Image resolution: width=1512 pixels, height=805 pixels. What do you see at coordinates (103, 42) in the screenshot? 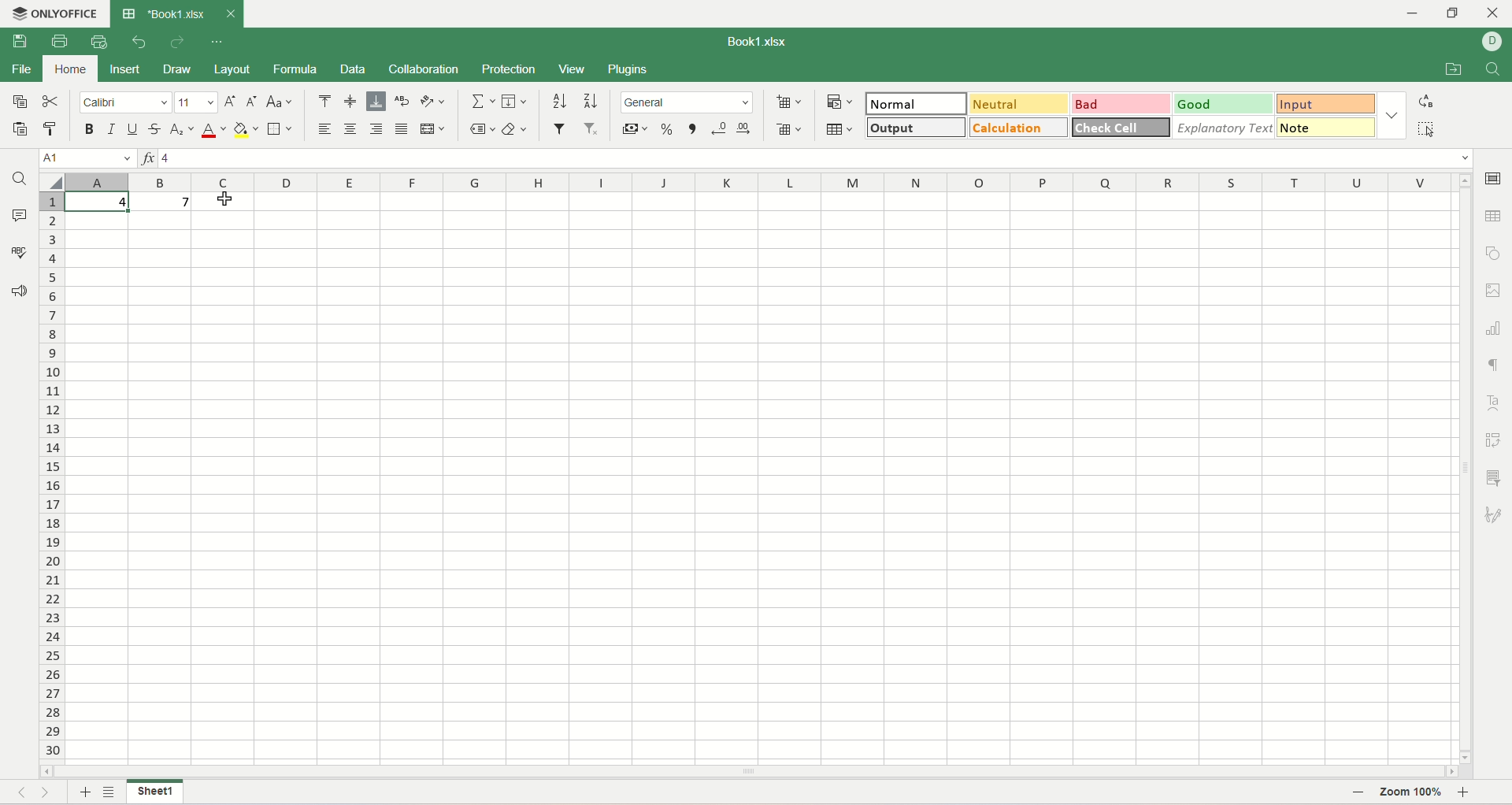
I see `print preview` at bounding box center [103, 42].